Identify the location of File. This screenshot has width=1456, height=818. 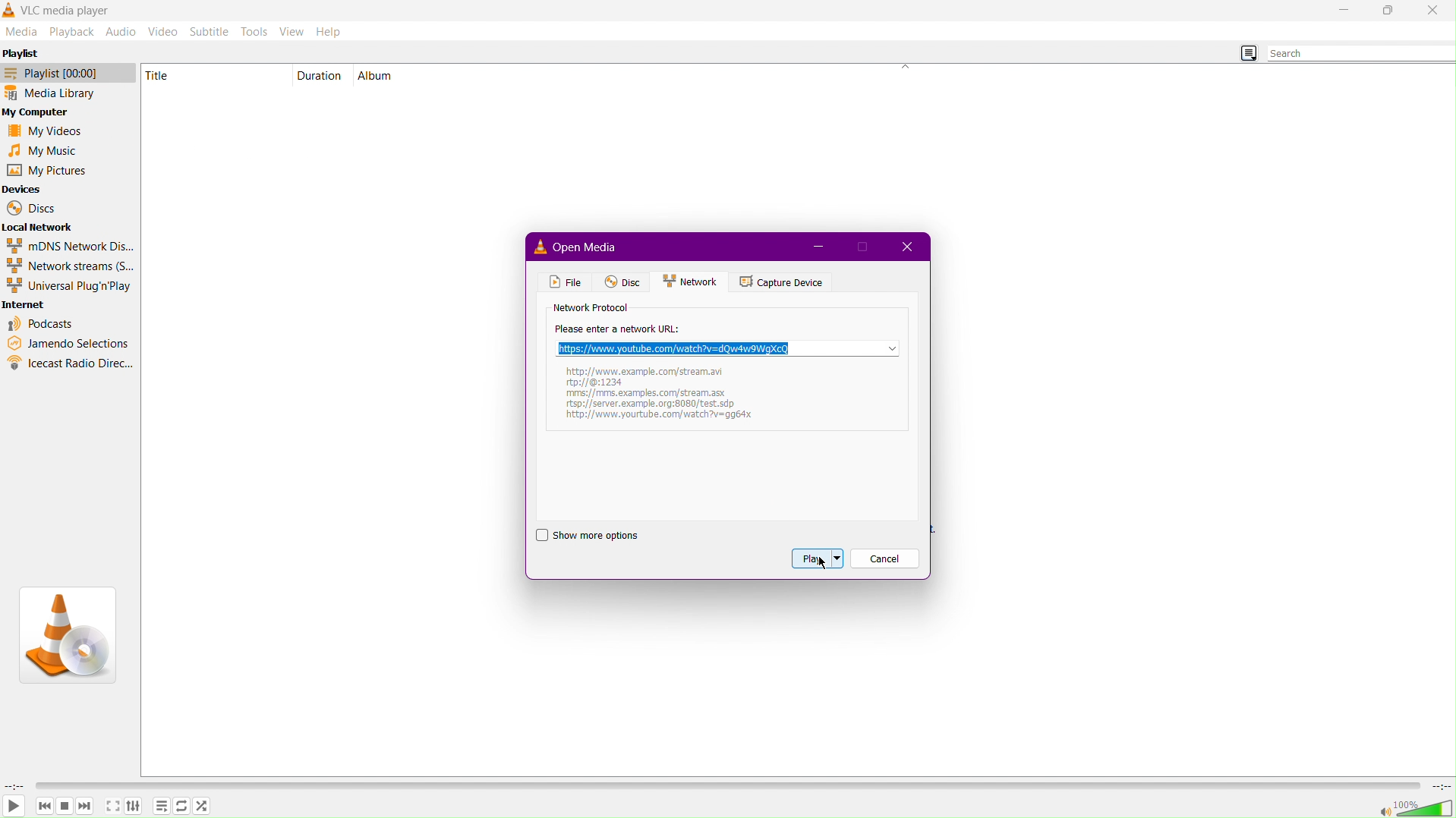
(563, 283).